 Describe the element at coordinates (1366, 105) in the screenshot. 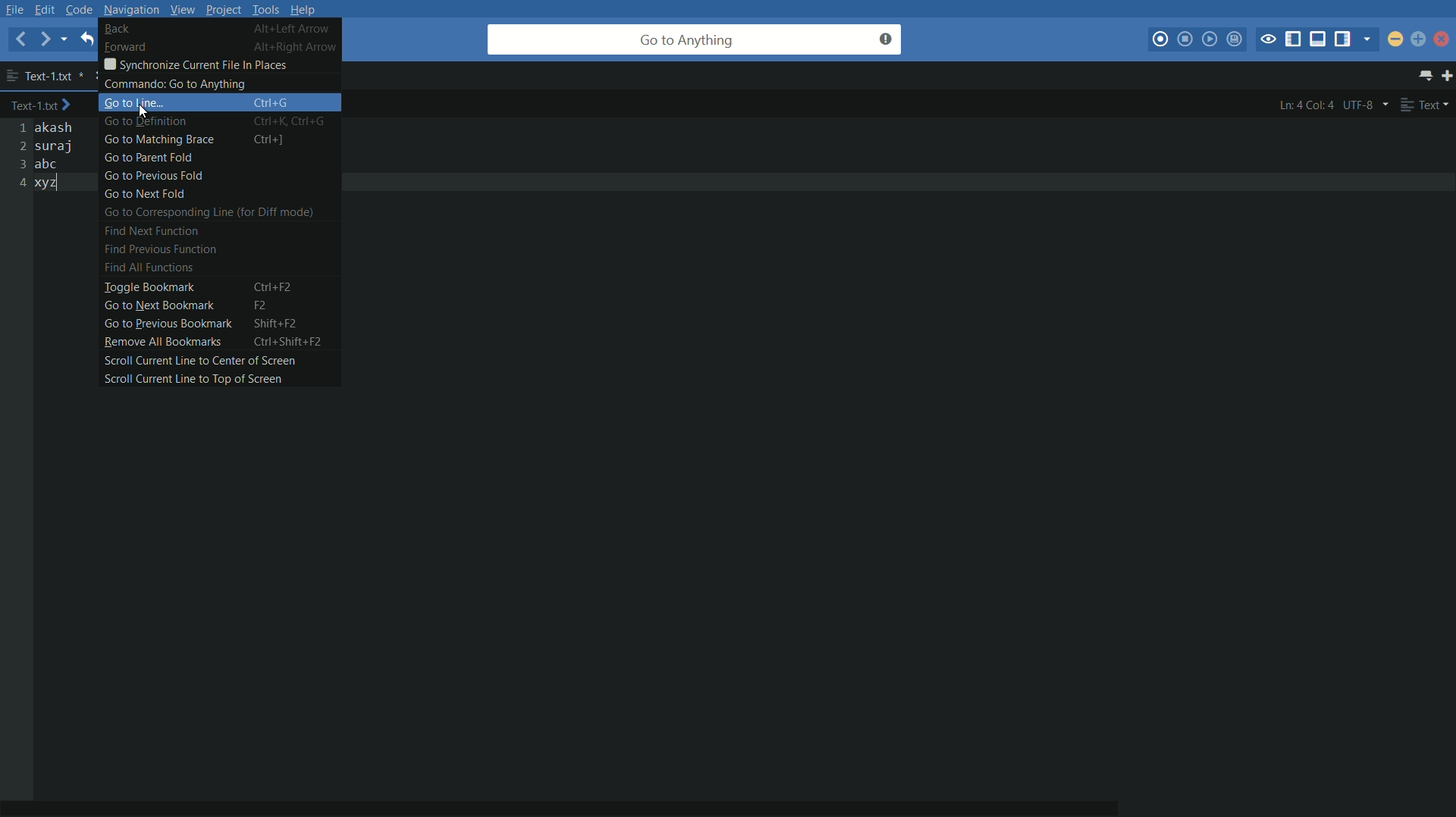

I see `utf-8` at that location.